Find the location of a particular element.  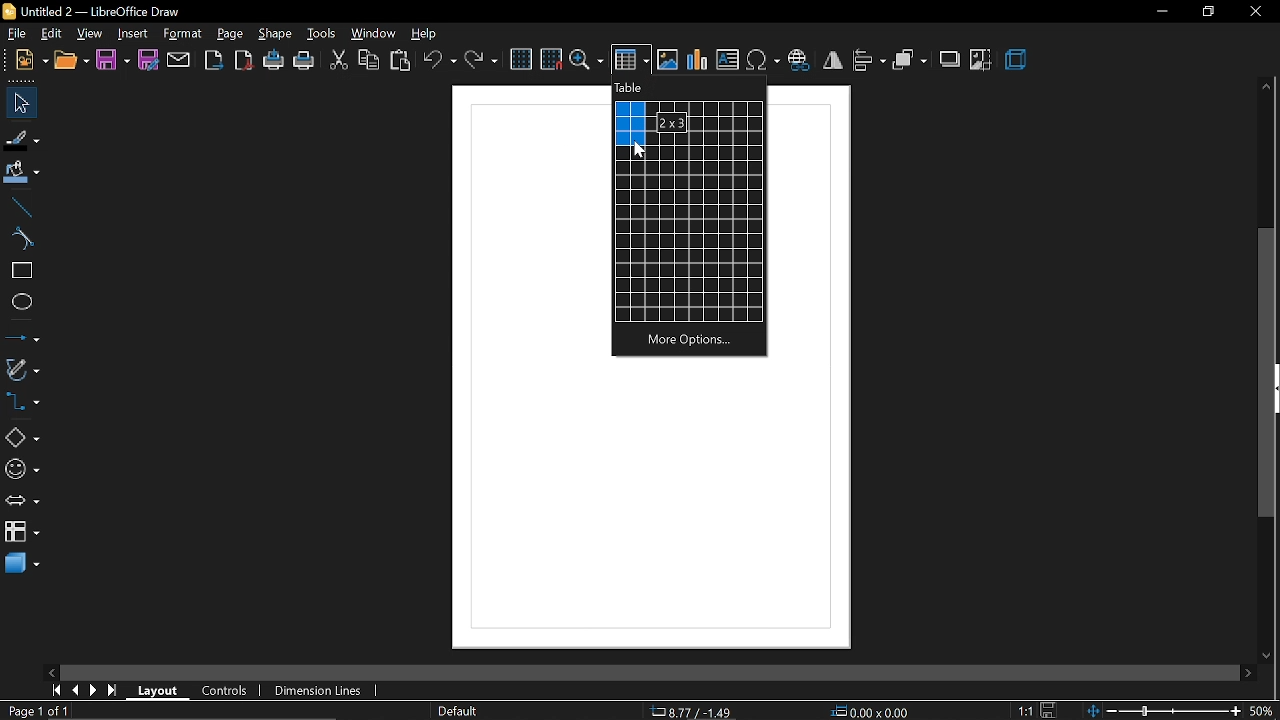

symbol shapes is located at coordinates (21, 470).